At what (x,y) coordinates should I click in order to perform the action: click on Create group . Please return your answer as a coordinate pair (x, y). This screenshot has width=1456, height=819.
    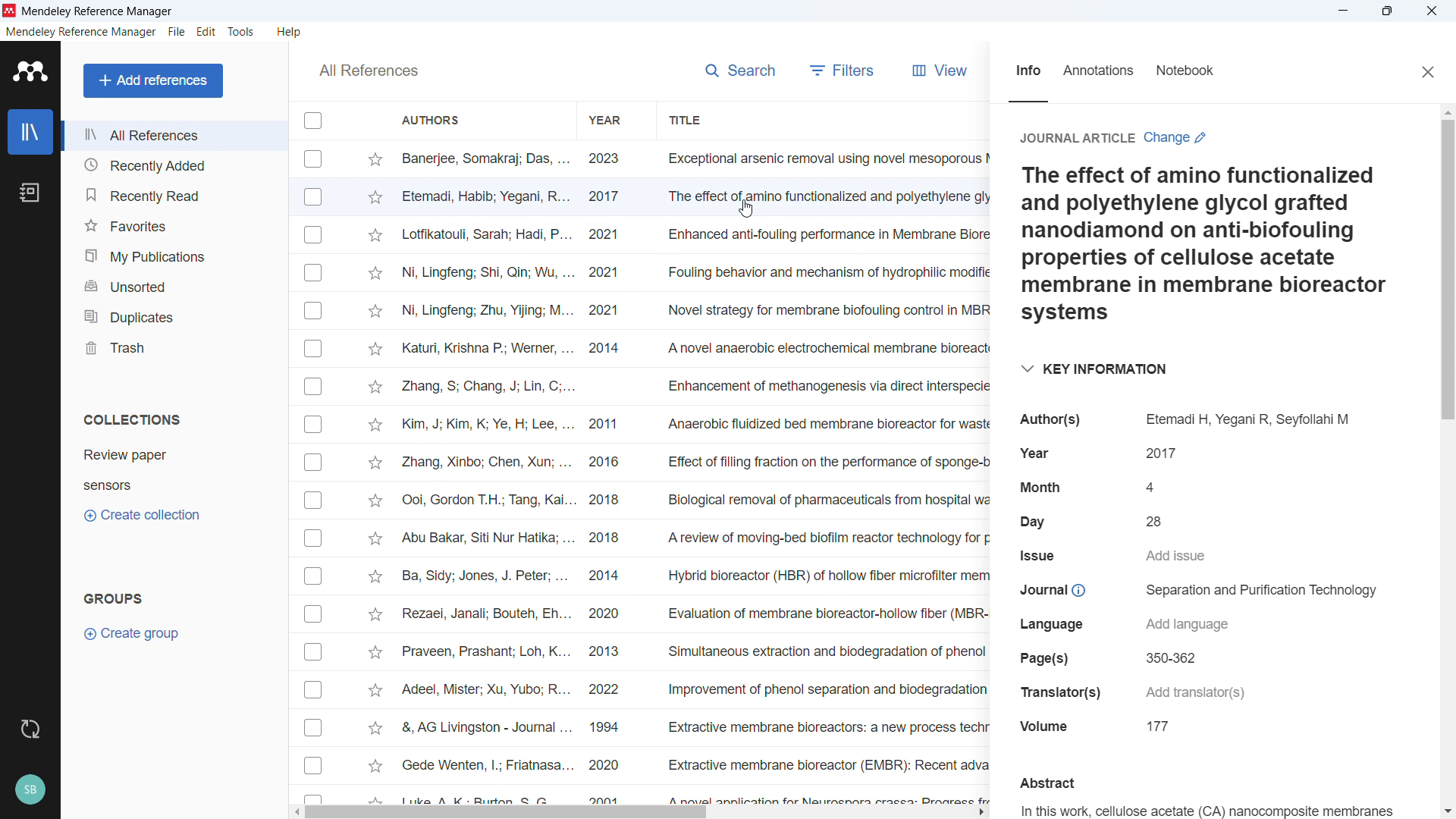
    Looking at the image, I should click on (132, 635).